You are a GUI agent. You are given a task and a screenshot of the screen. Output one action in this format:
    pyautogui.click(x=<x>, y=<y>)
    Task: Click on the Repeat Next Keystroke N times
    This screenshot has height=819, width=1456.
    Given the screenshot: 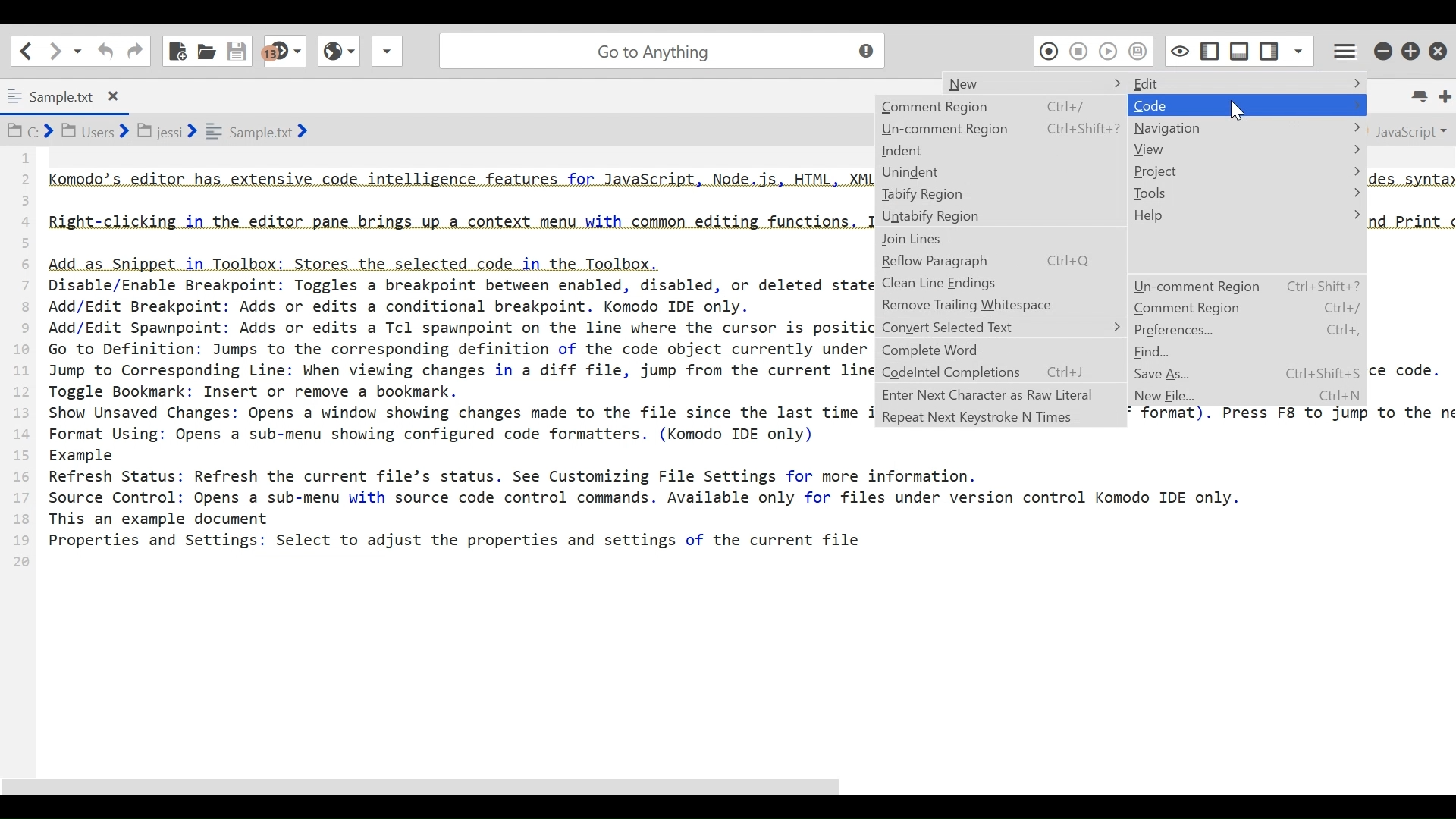 What is the action you would take?
    pyautogui.click(x=999, y=417)
    